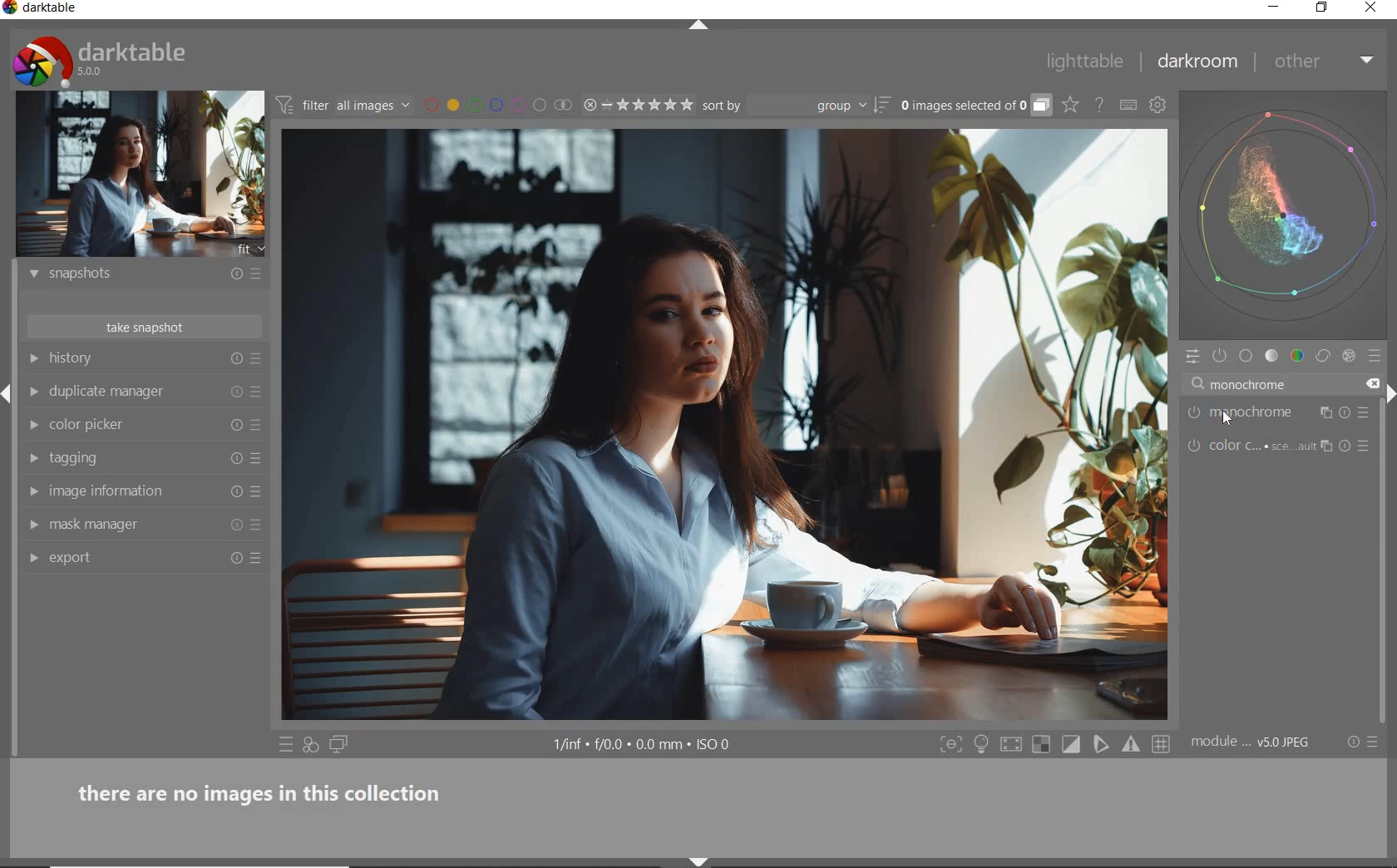 Image resolution: width=1397 pixels, height=868 pixels. Describe the element at coordinates (706, 26) in the screenshot. I see `expand/collapse` at that location.